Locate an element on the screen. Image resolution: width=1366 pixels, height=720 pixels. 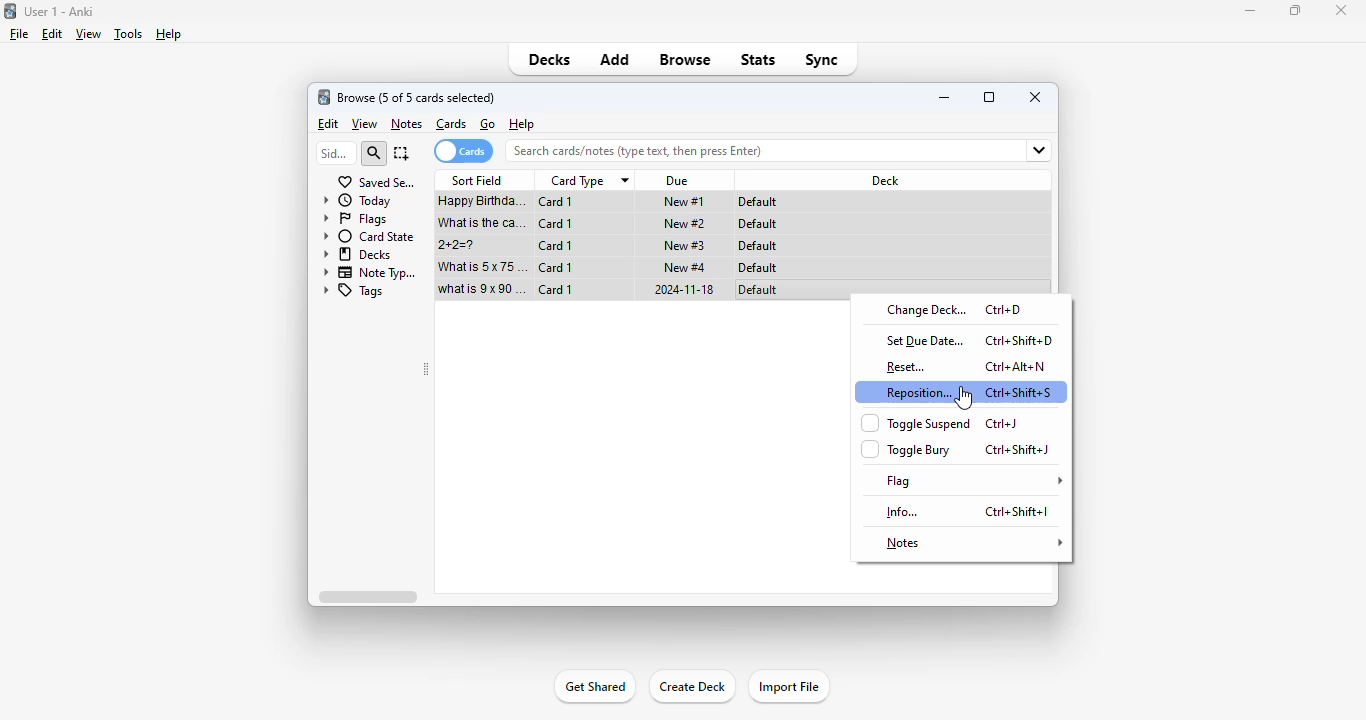
import file is located at coordinates (789, 686).